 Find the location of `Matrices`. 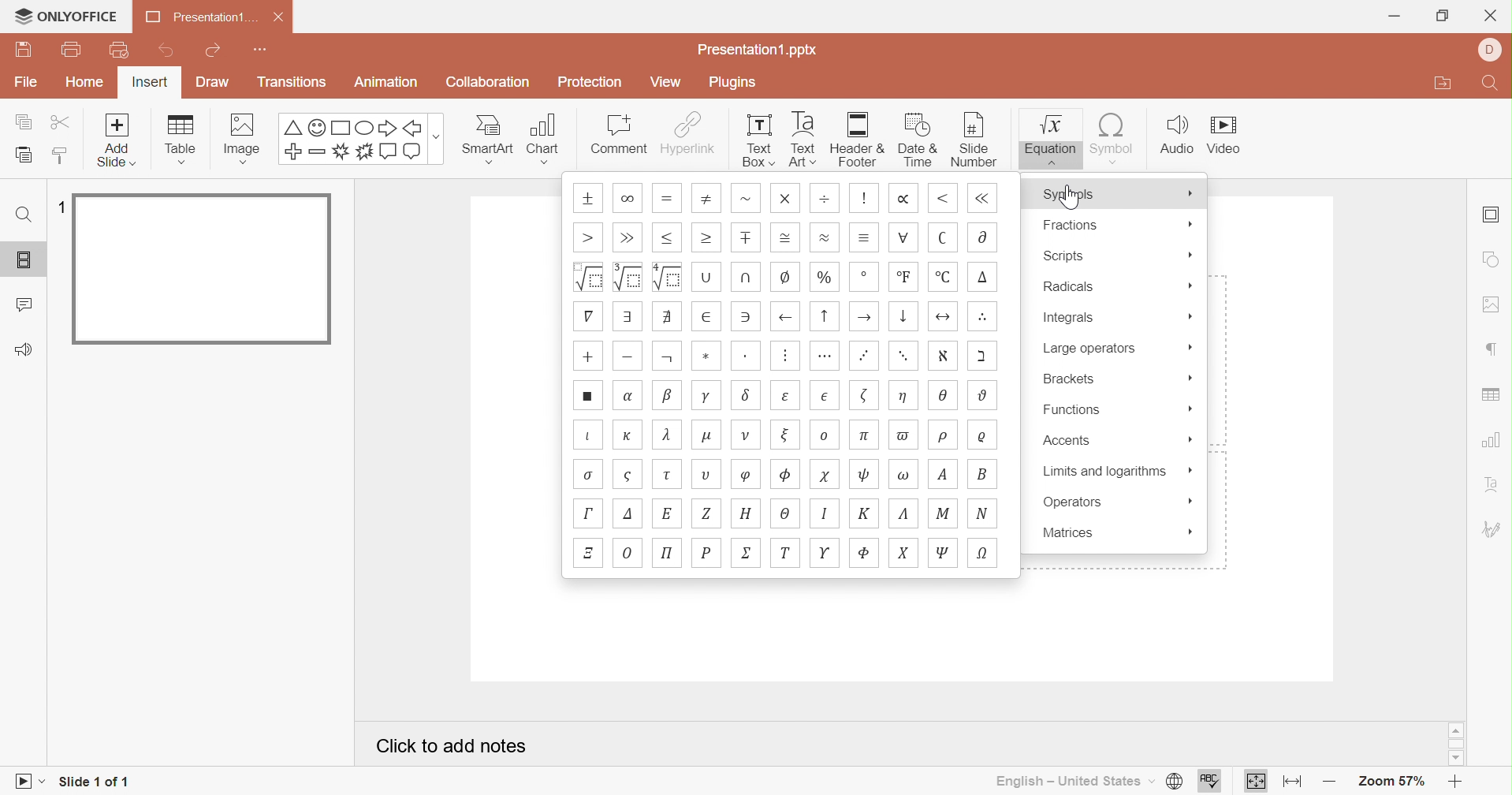

Matrices is located at coordinates (1121, 532).